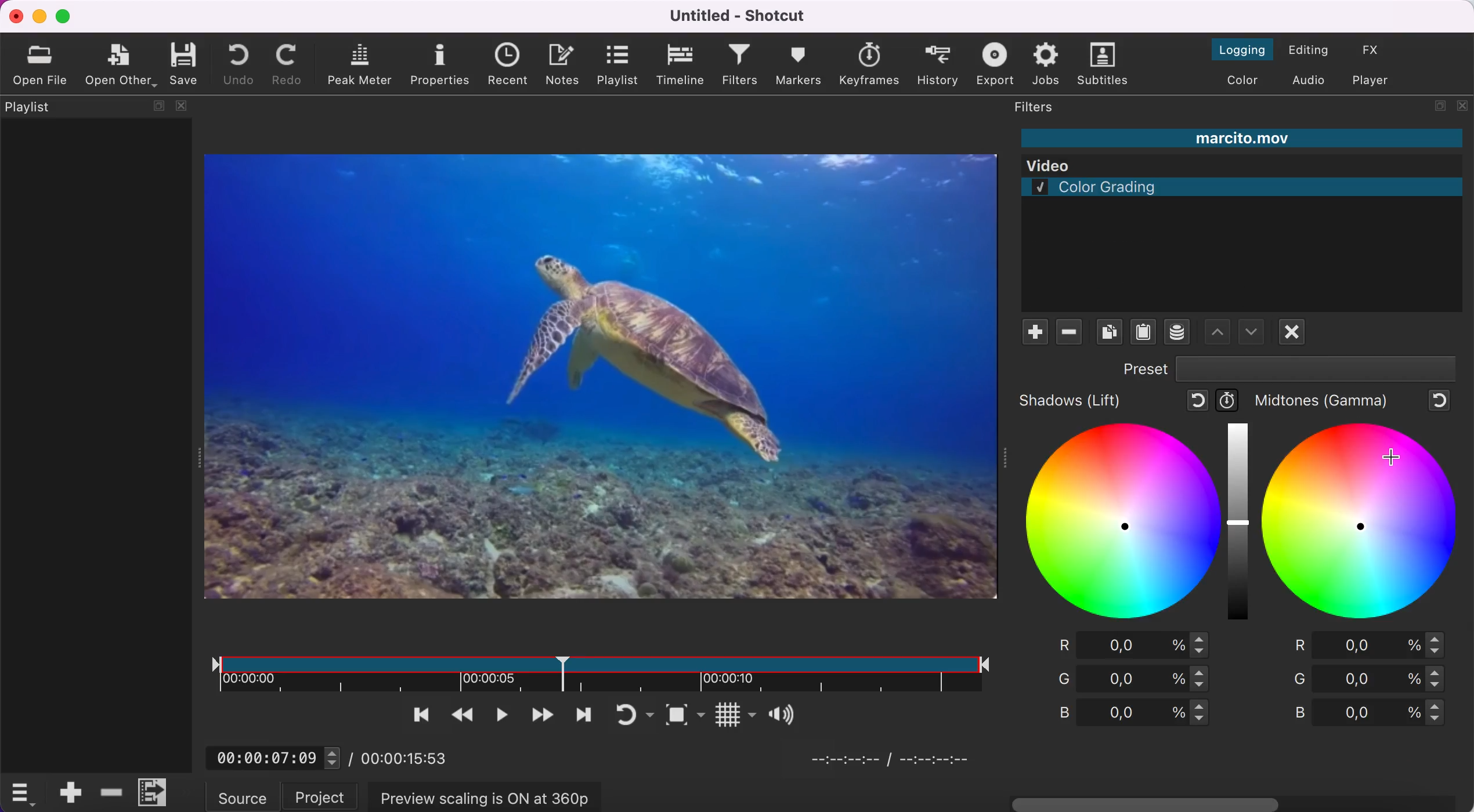 This screenshot has width=1474, height=812. I want to click on graduation bar, so click(1241, 523).